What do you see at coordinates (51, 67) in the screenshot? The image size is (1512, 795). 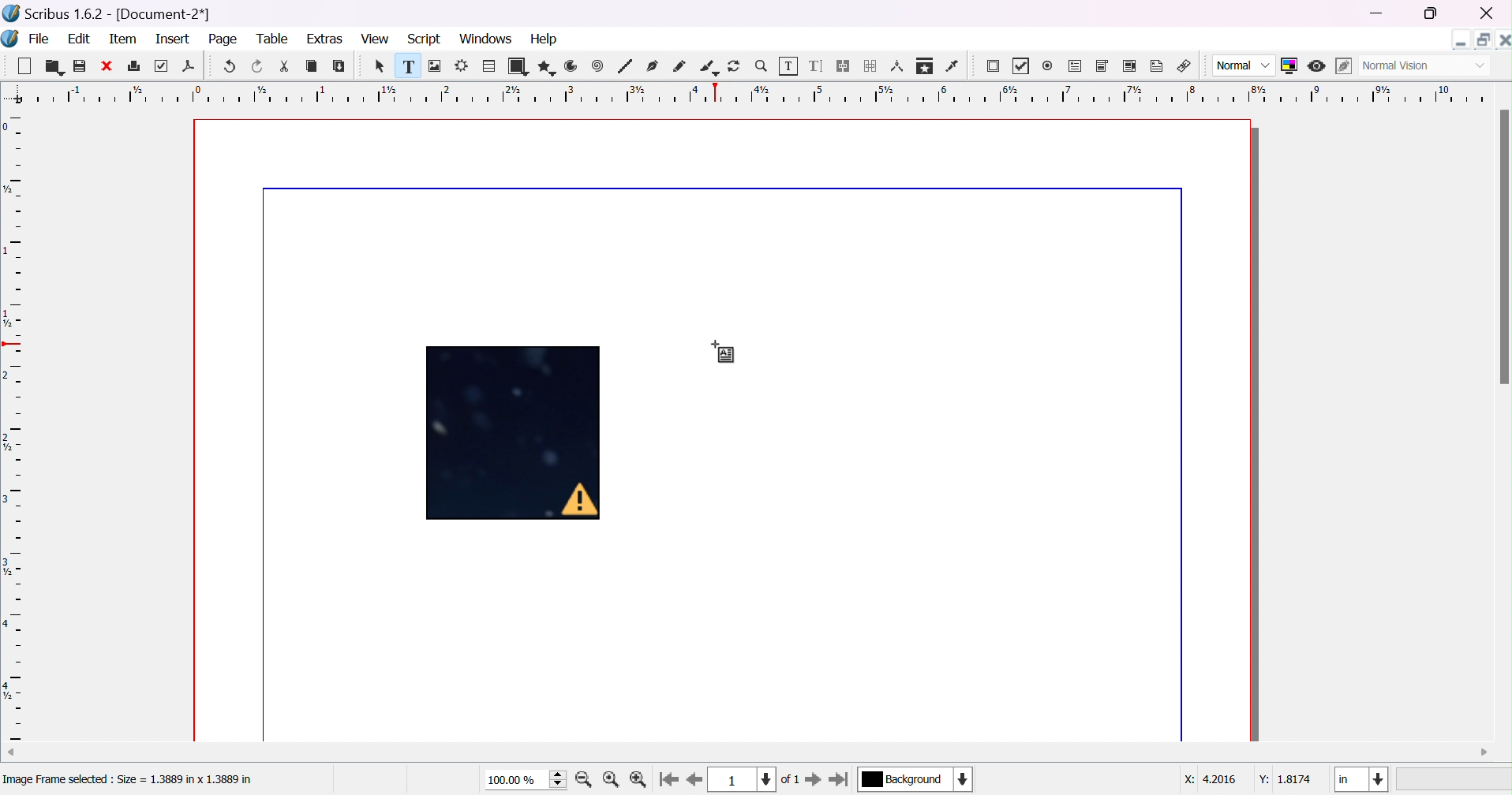 I see `open` at bounding box center [51, 67].